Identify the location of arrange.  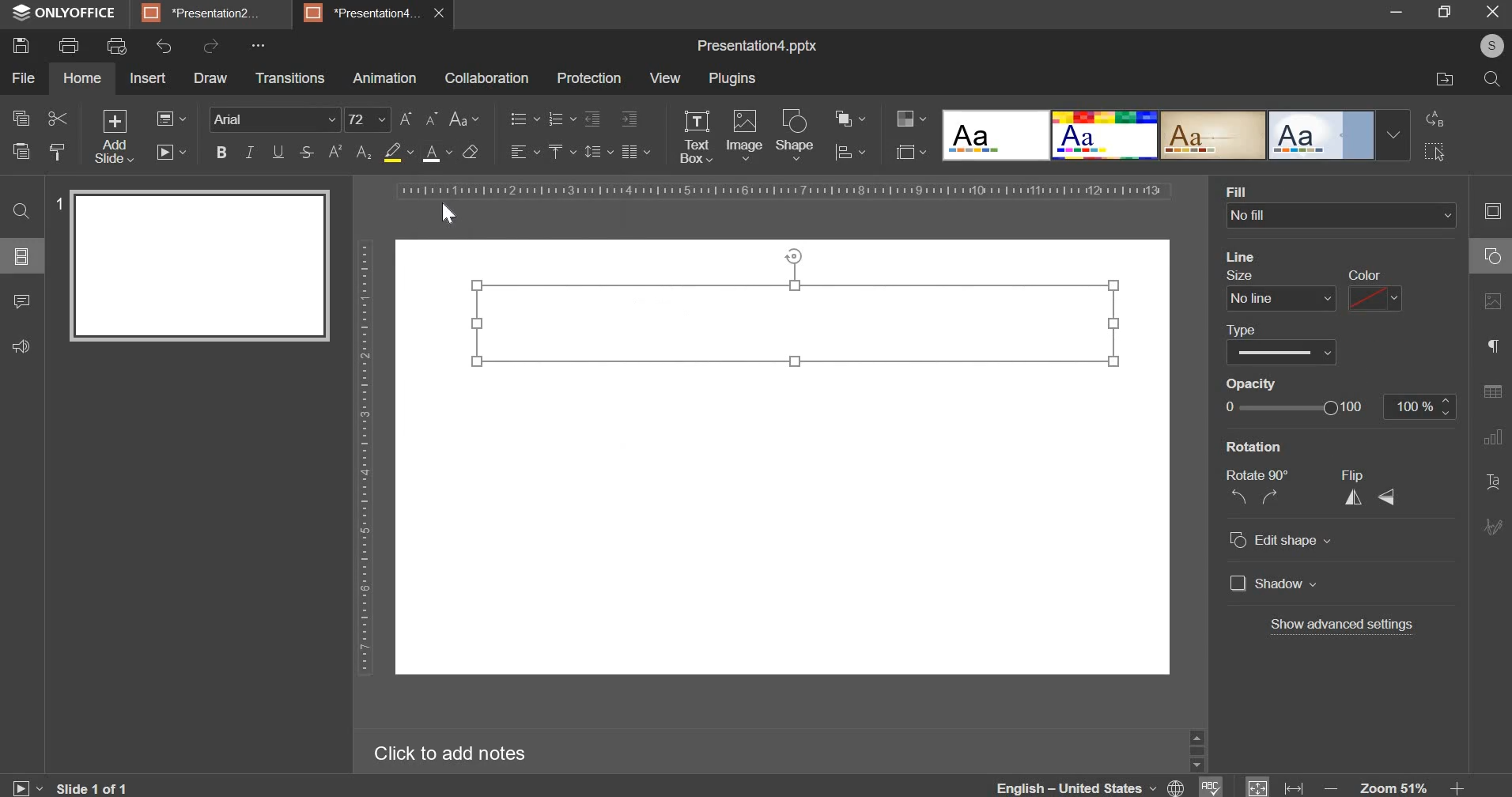
(847, 118).